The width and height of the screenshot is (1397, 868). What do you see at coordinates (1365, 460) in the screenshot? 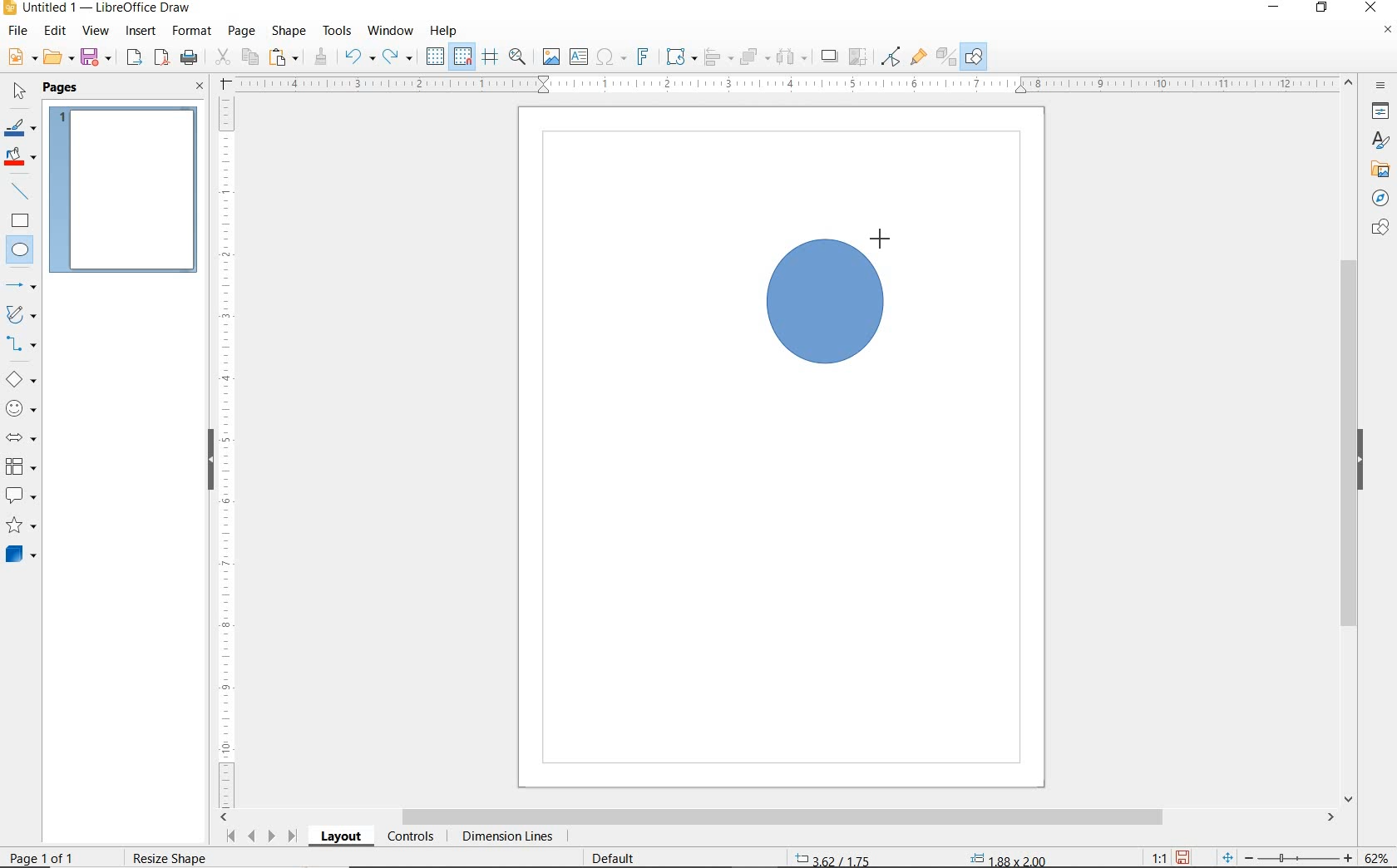
I see `HIDE` at bounding box center [1365, 460].